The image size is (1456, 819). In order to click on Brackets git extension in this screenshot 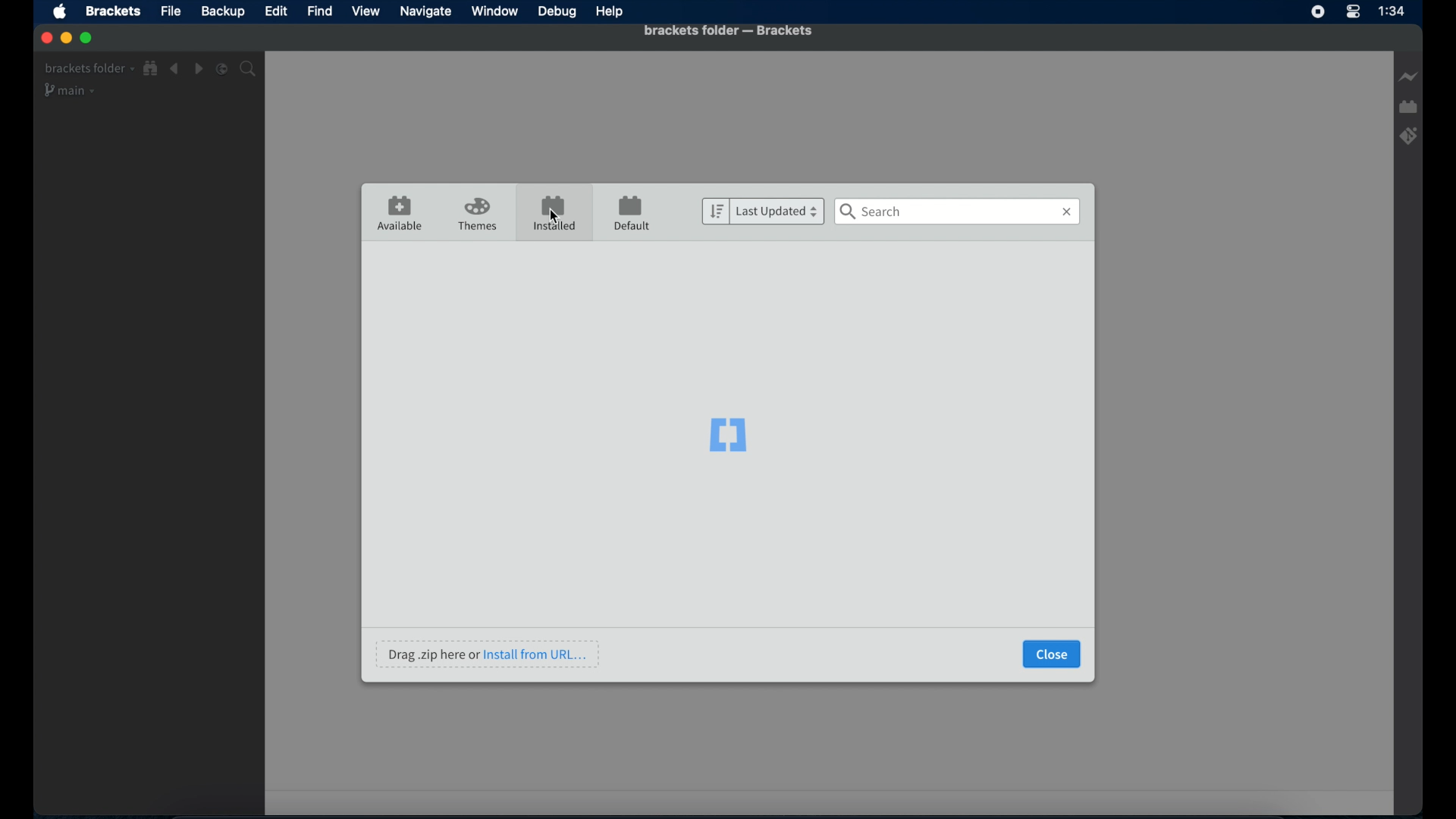, I will do `click(1410, 136)`.